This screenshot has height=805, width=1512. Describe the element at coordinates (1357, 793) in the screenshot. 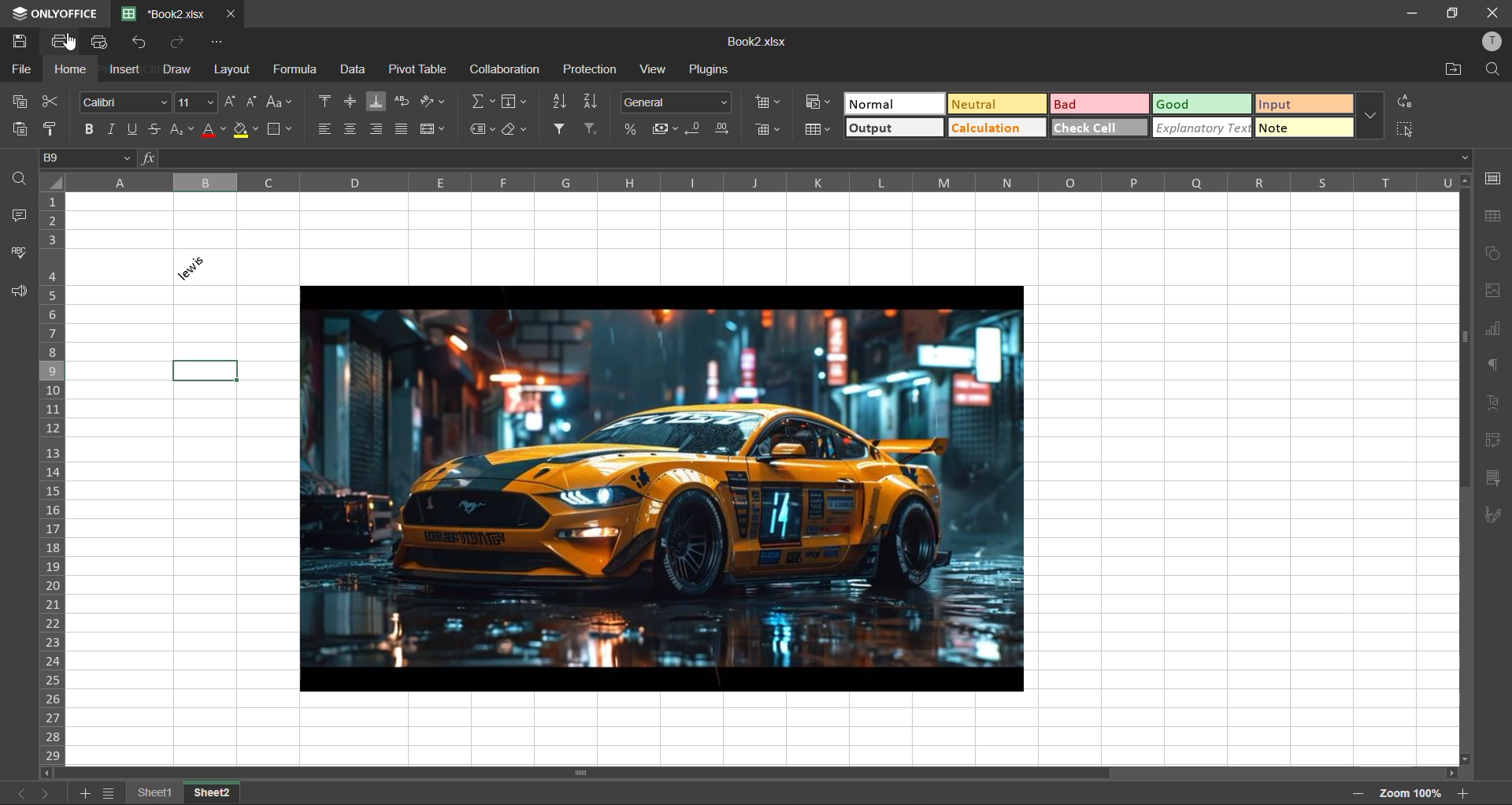

I see `zoom out` at that location.